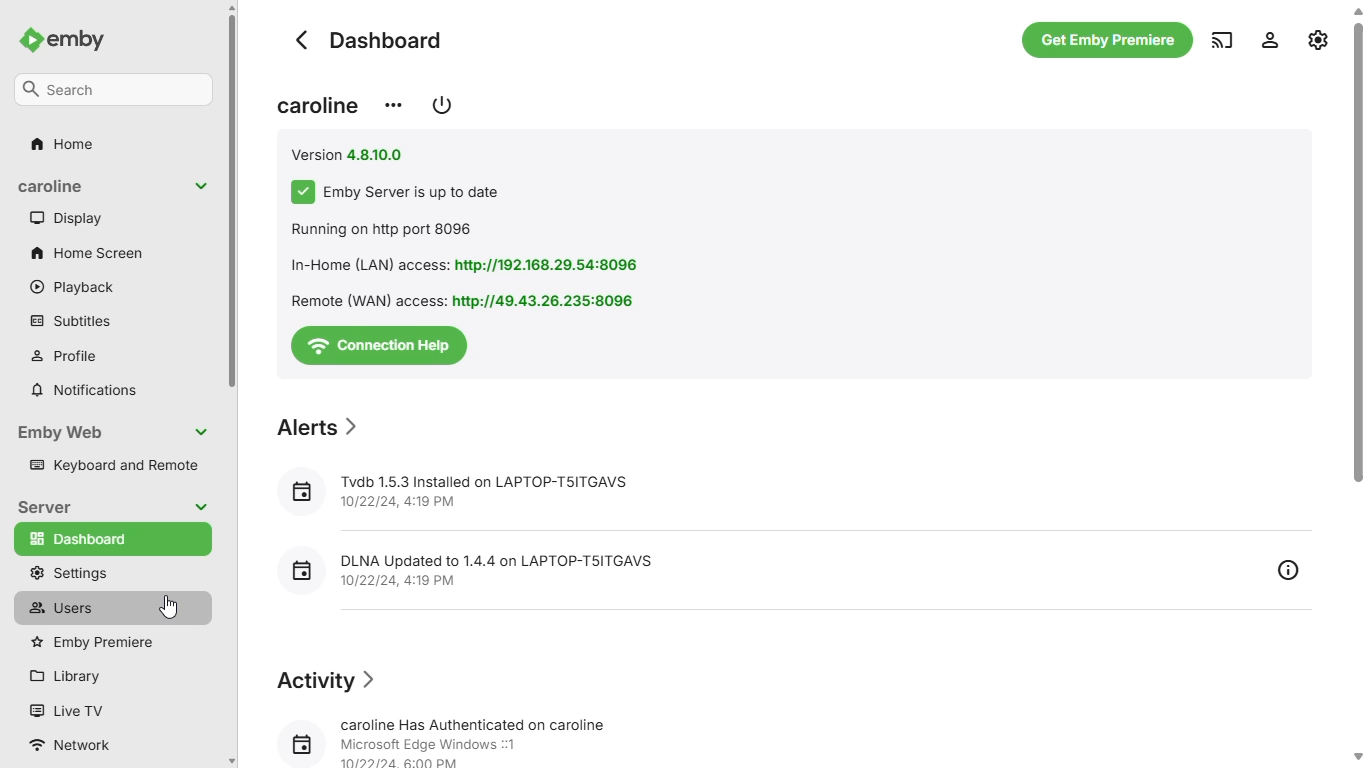  I want to click on emby web, so click(117, 433).